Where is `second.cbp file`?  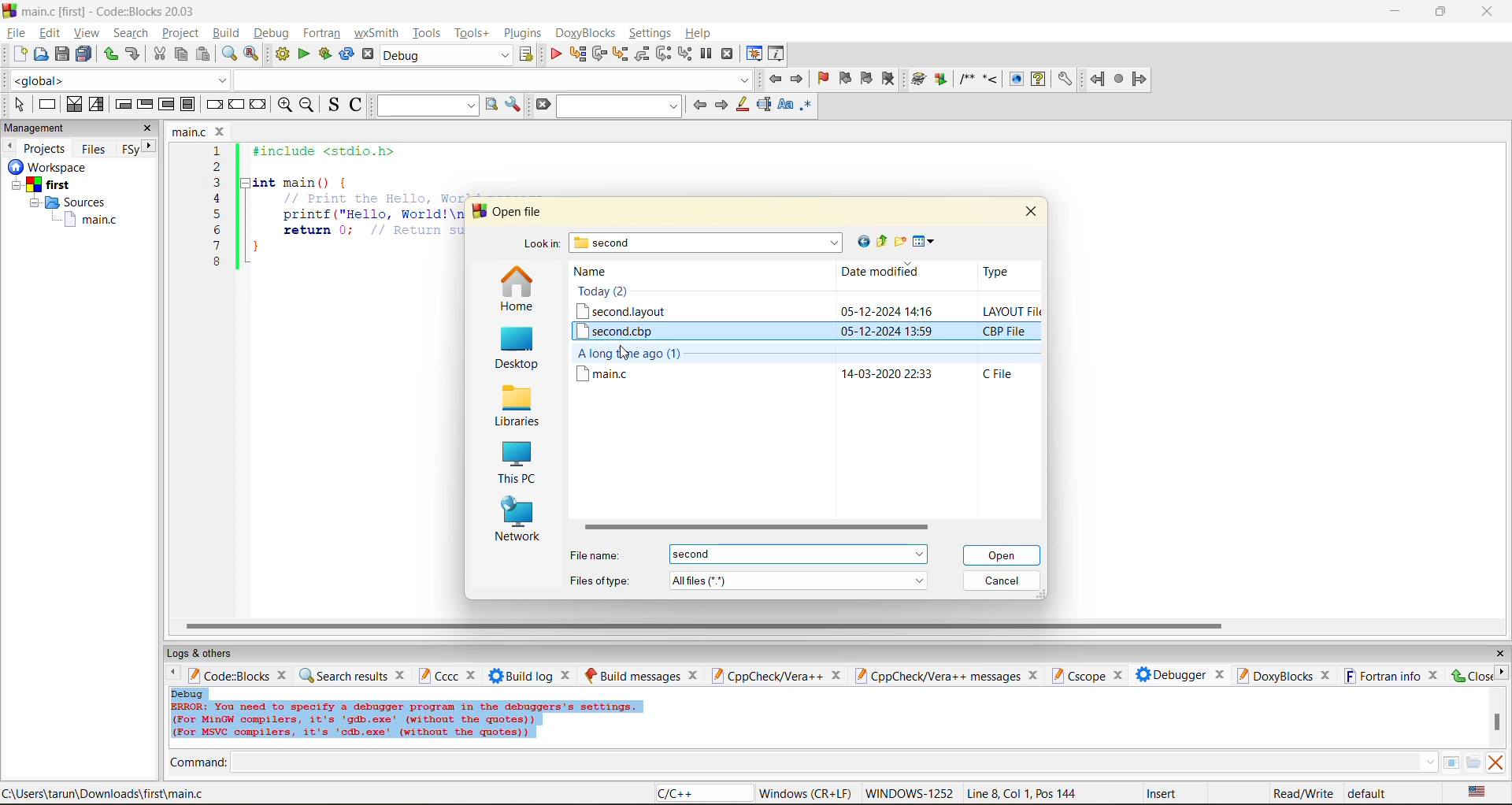 second.cbp file is located at coordinates (625, 331).